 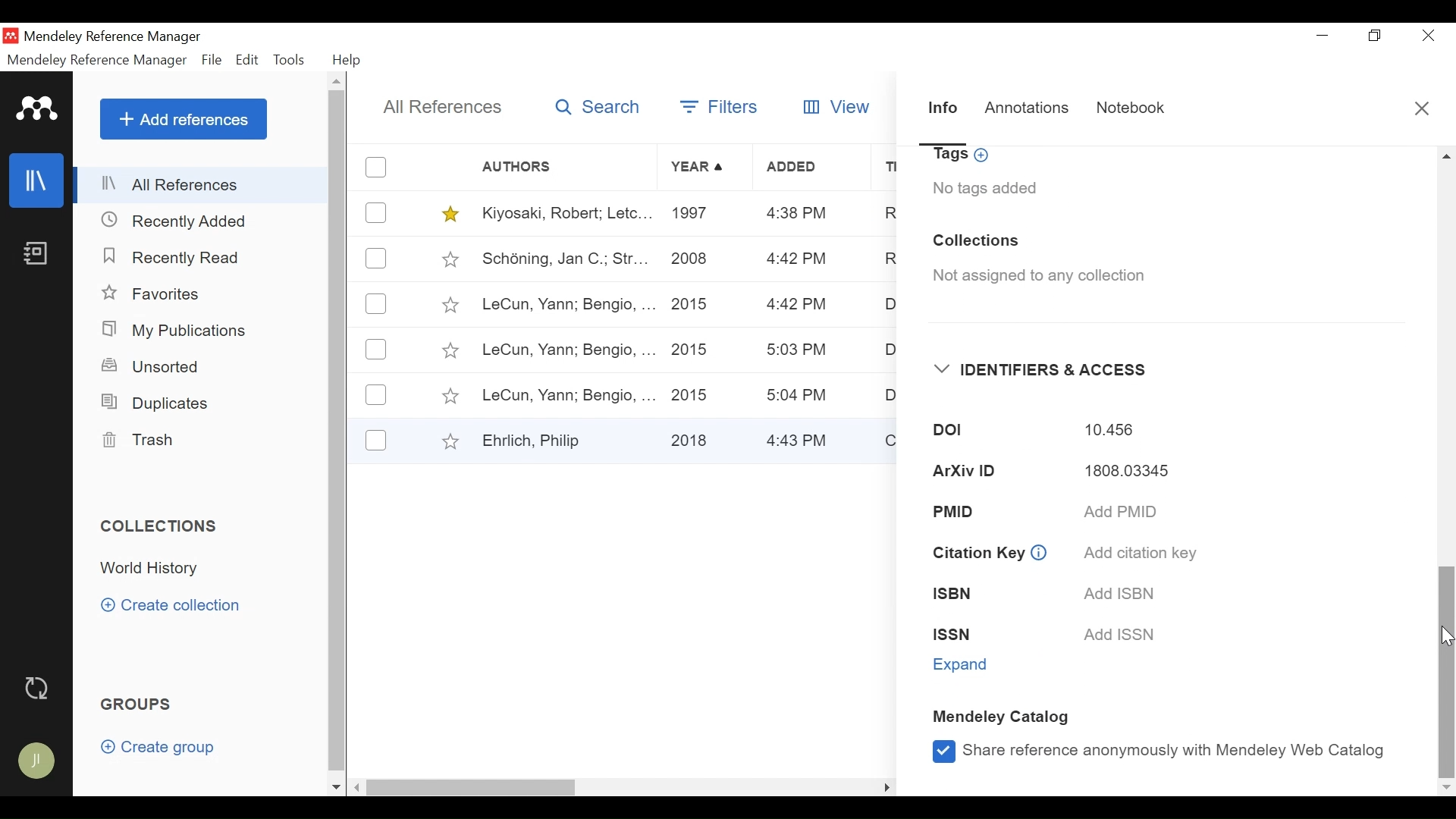 I want to click on Collections, so click(x=976, y=241).